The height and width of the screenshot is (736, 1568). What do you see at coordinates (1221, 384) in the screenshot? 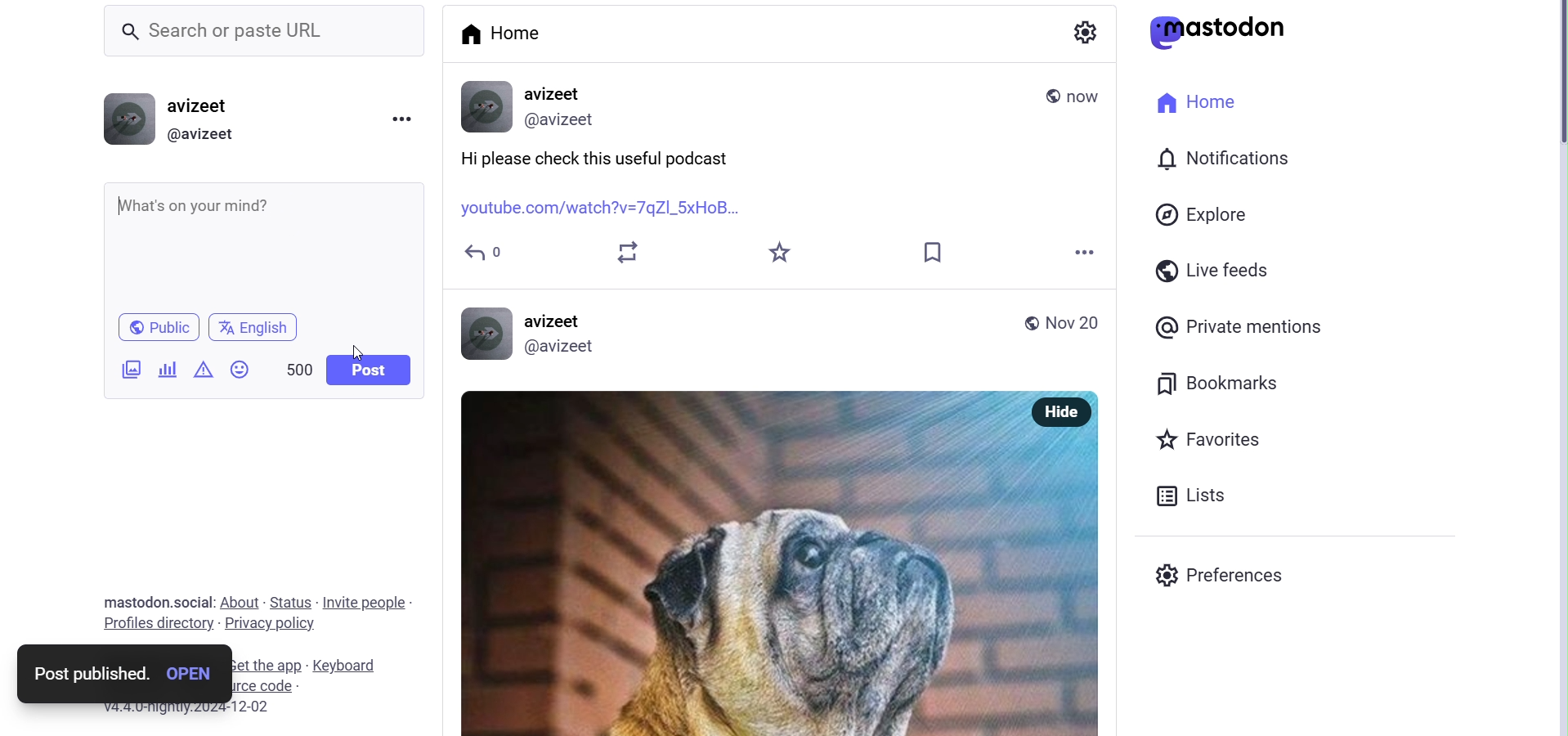
I see `bookmarks` at bounding box center [1221, 384].